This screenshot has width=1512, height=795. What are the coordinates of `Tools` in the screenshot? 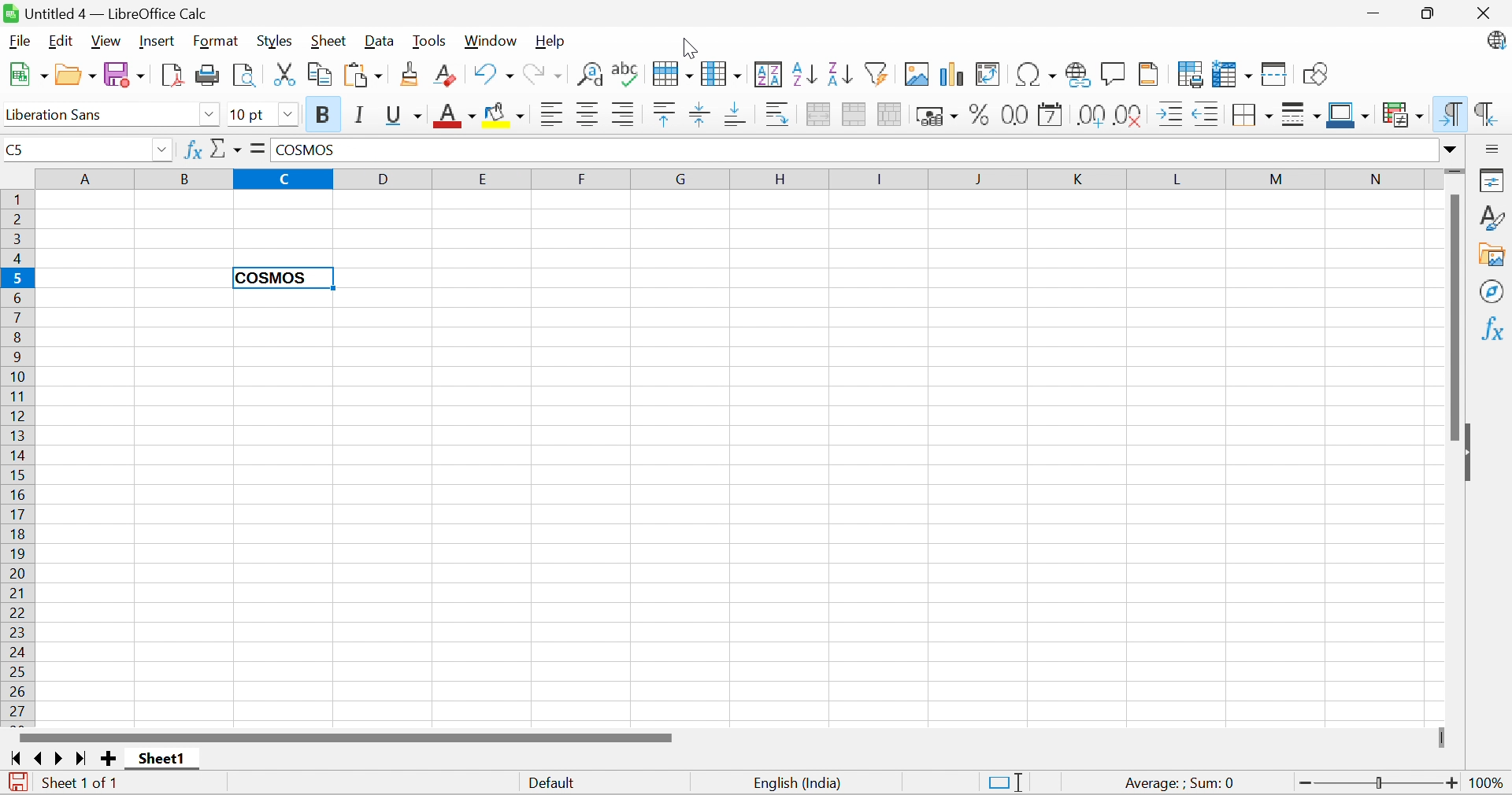 It's located at (431, 40).